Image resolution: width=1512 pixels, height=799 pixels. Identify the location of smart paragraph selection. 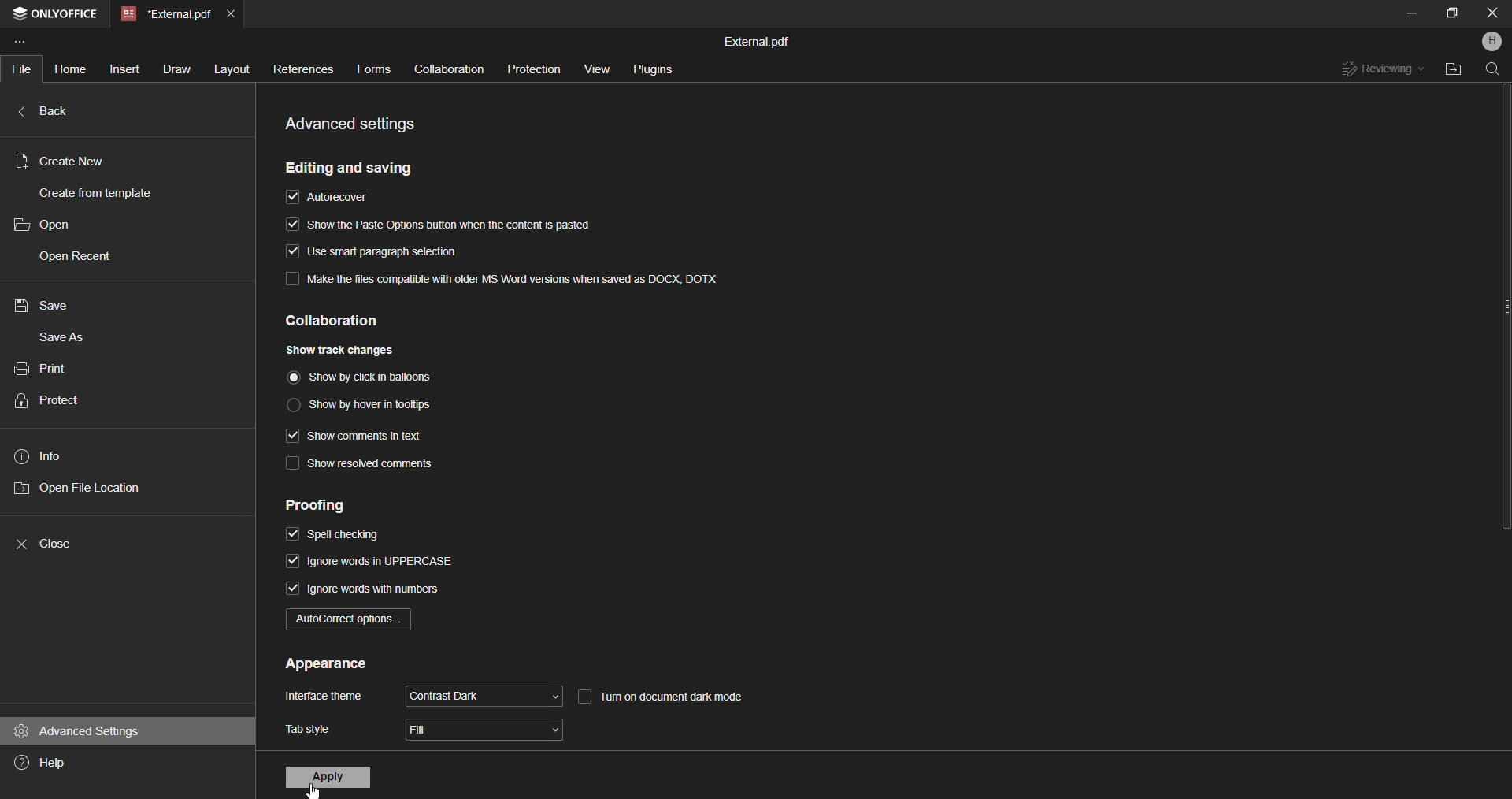
(367, 251).